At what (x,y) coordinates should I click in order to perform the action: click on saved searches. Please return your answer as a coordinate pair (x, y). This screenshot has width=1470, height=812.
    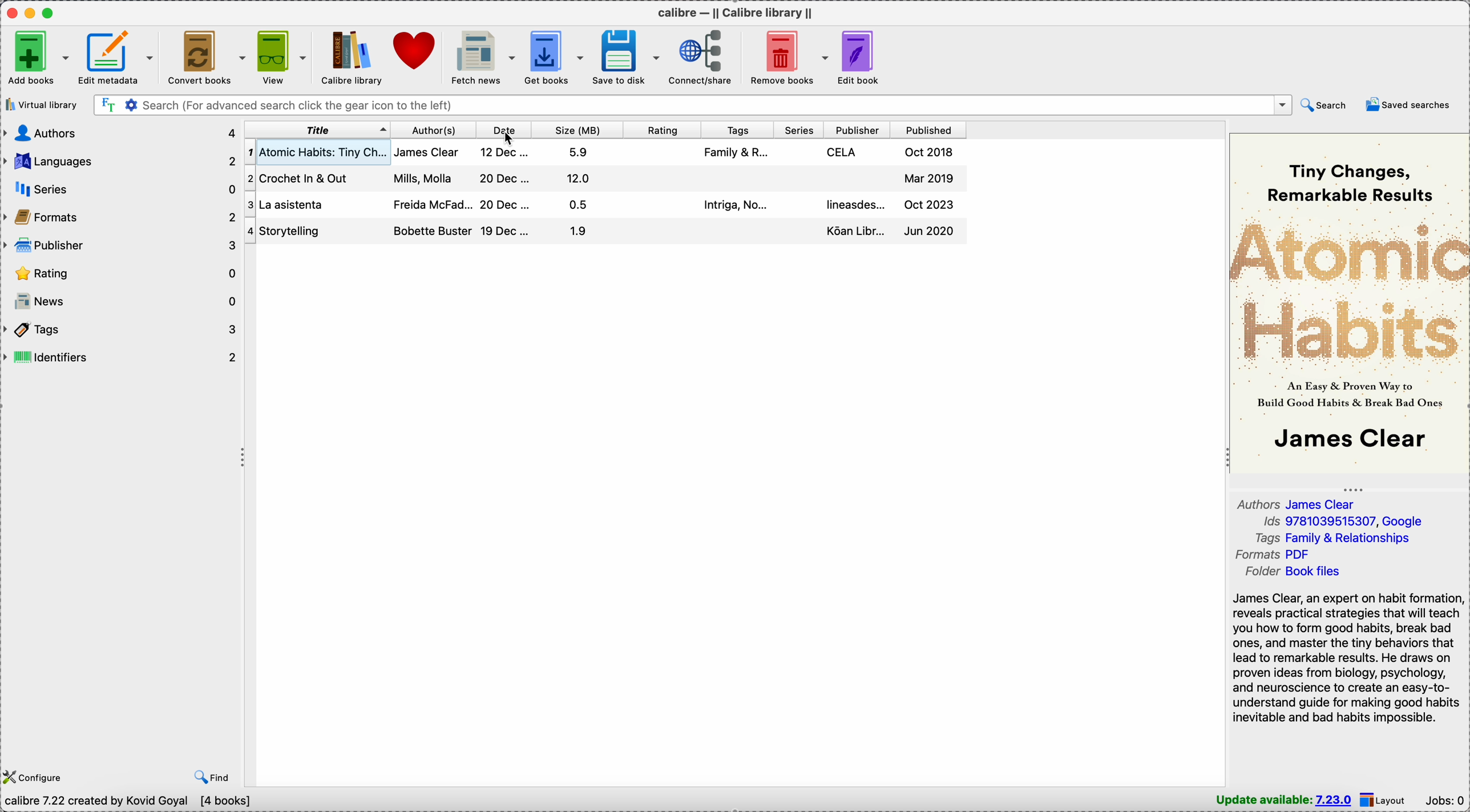
    Looking at the image, I should click on (1407, 104).